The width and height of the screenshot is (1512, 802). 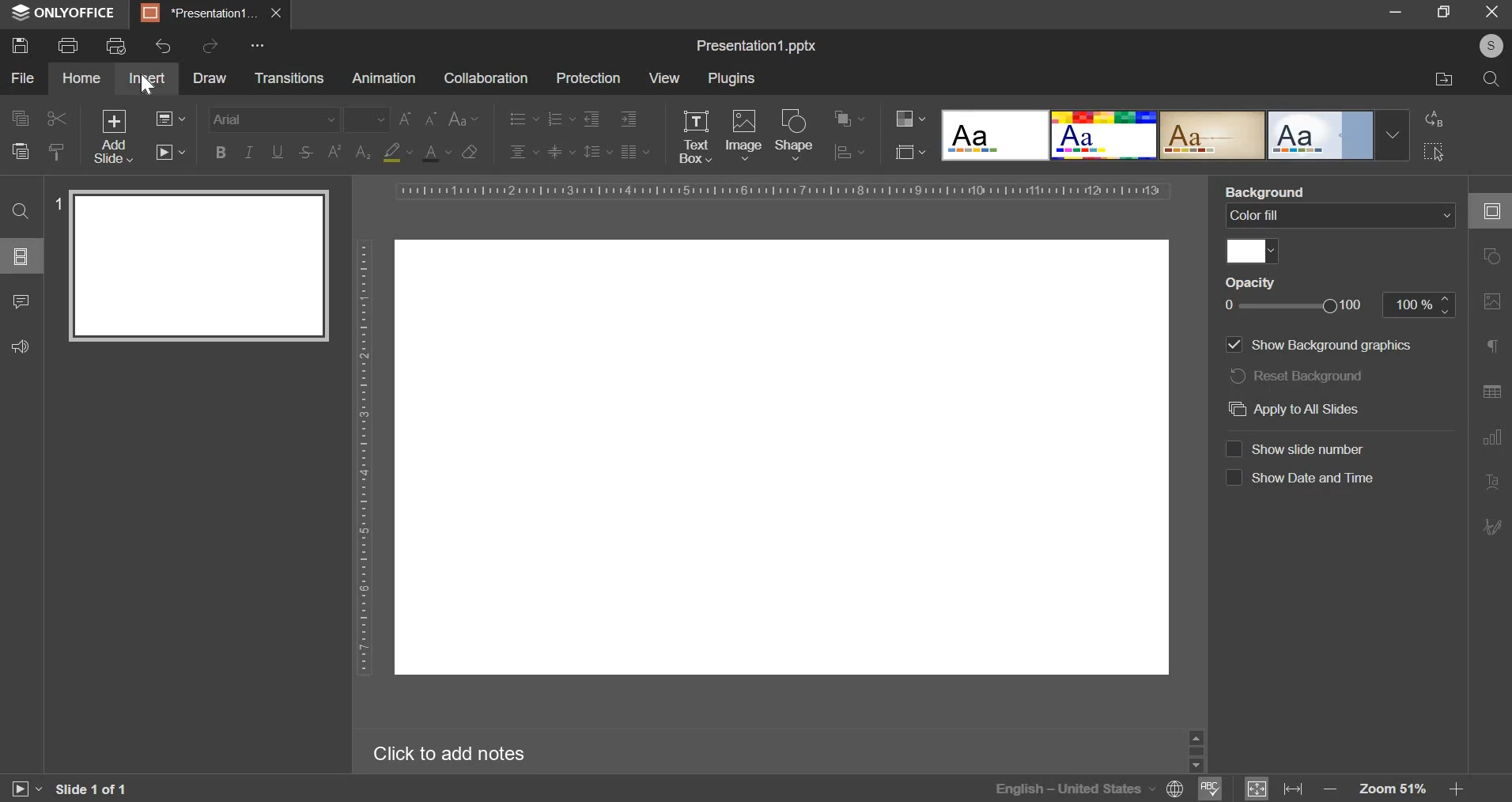 What do you see at coordinates (198, 264) in the screenshot?
I see `slide preview` at bounding box center [198, 264].